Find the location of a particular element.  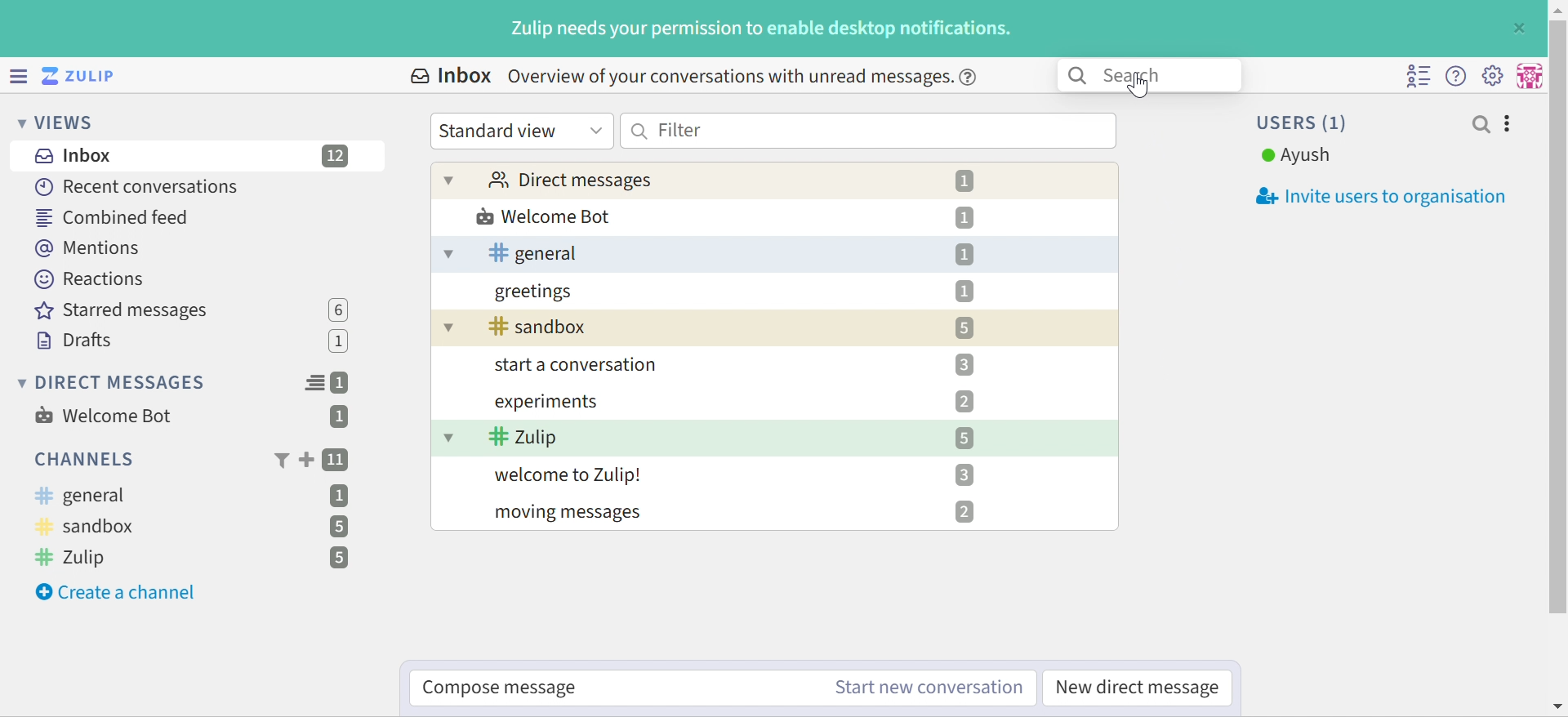

Starred mesages is located at coordinates (127, 311).